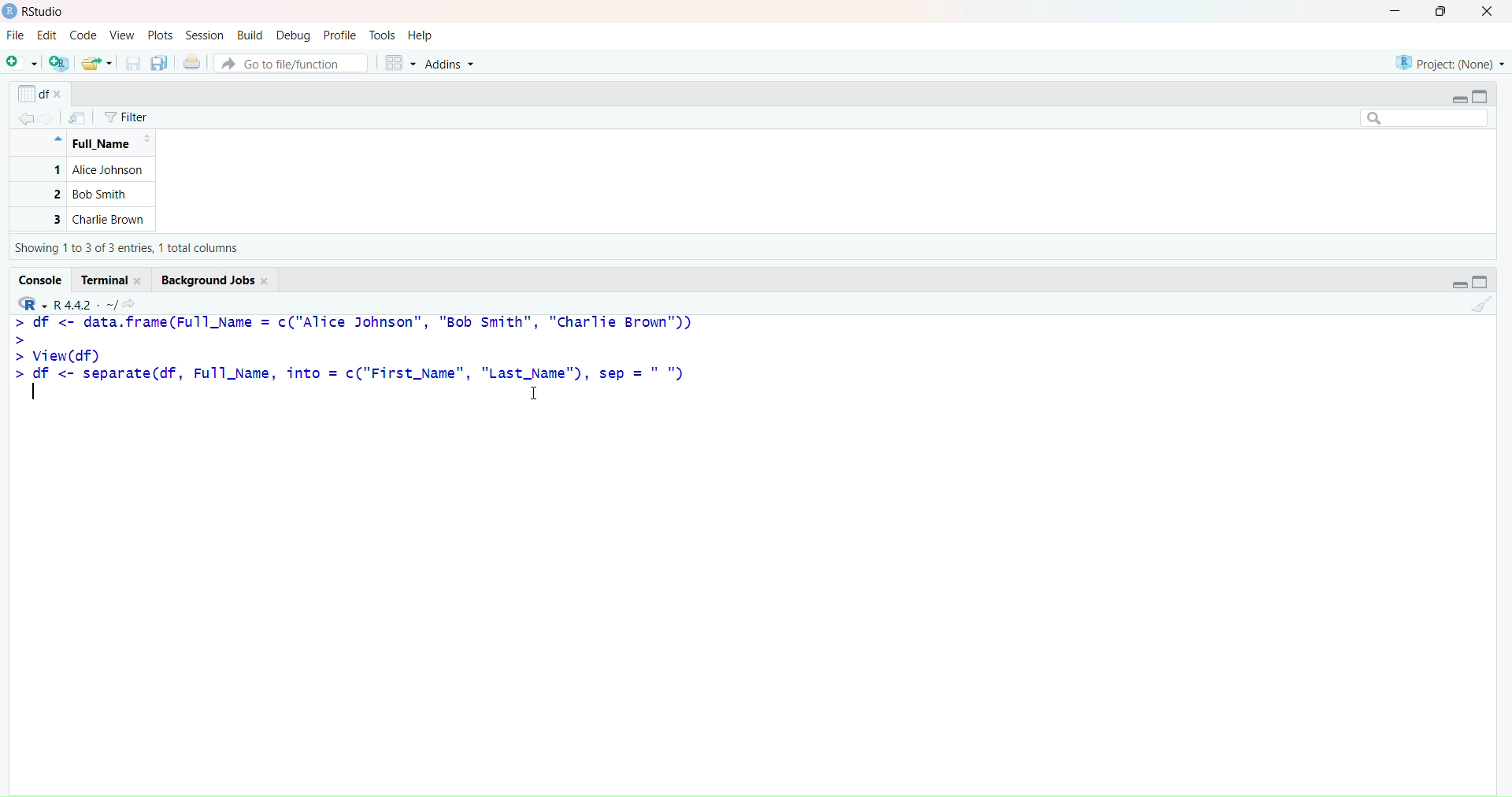 This screenshot has height=797, width=1512. What do you see at coordinates (87, 302) in the screenshot?
I see `R 4.4.2~/` at bounding box center [87, 302].